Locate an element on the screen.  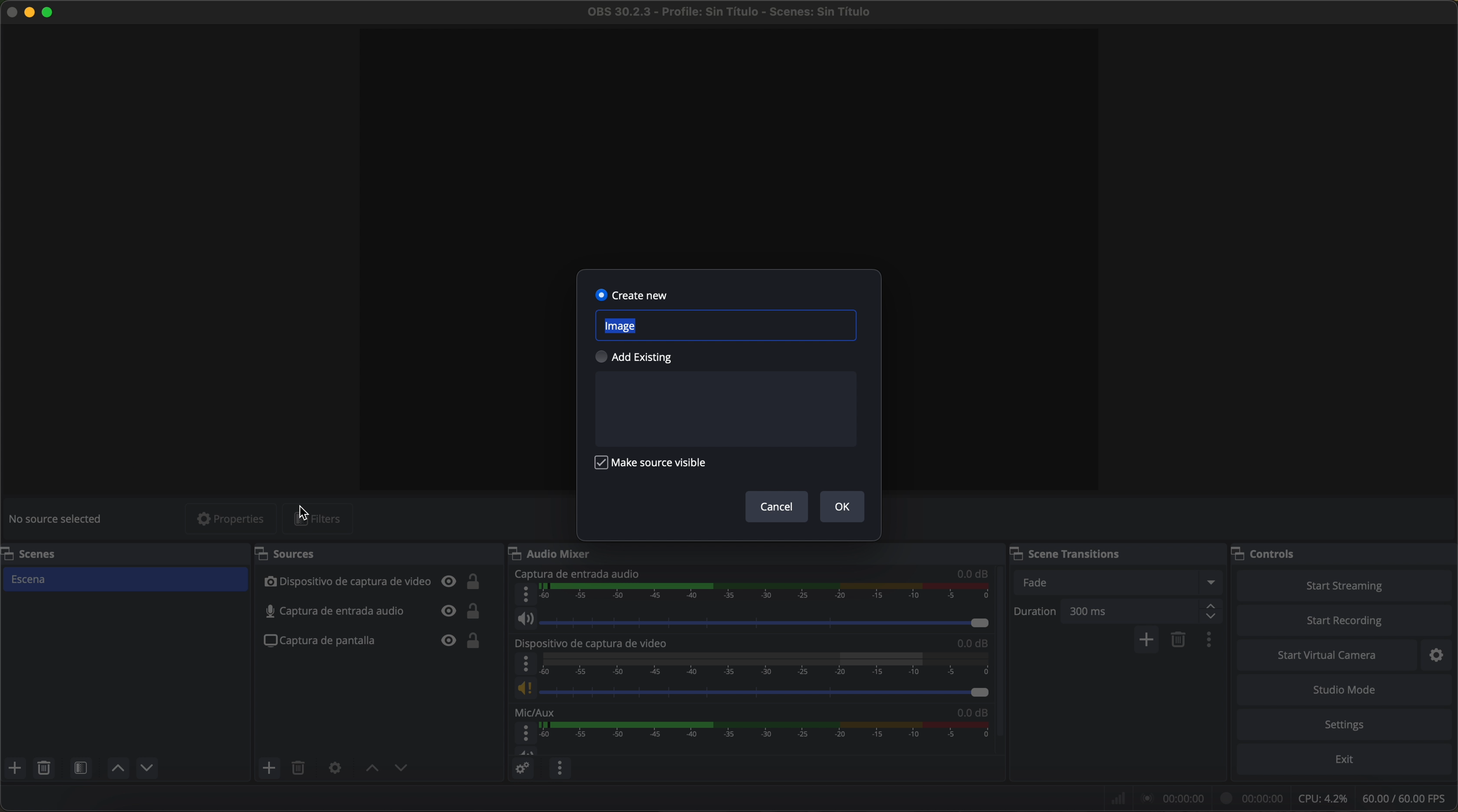
more options is located at coordinates (526, 594).